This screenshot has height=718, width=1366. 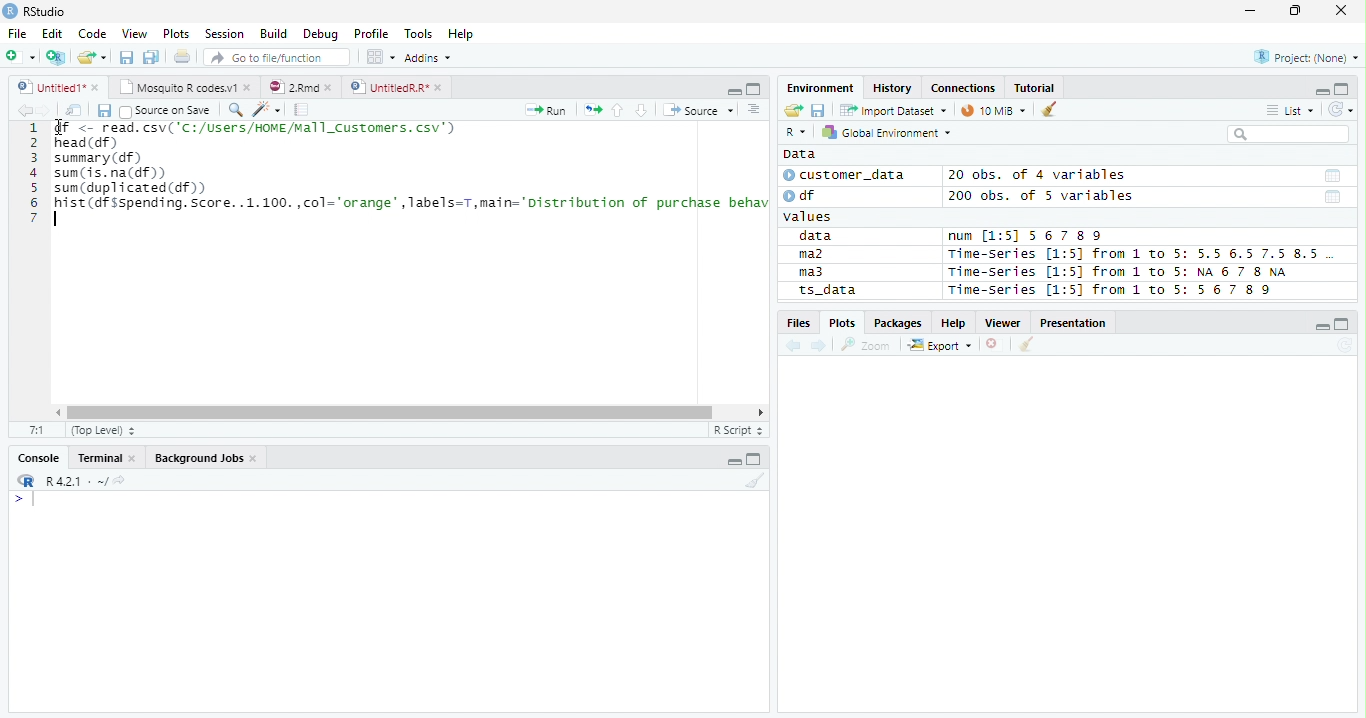 I want to click on Clean, so click(x=1051, y=108).